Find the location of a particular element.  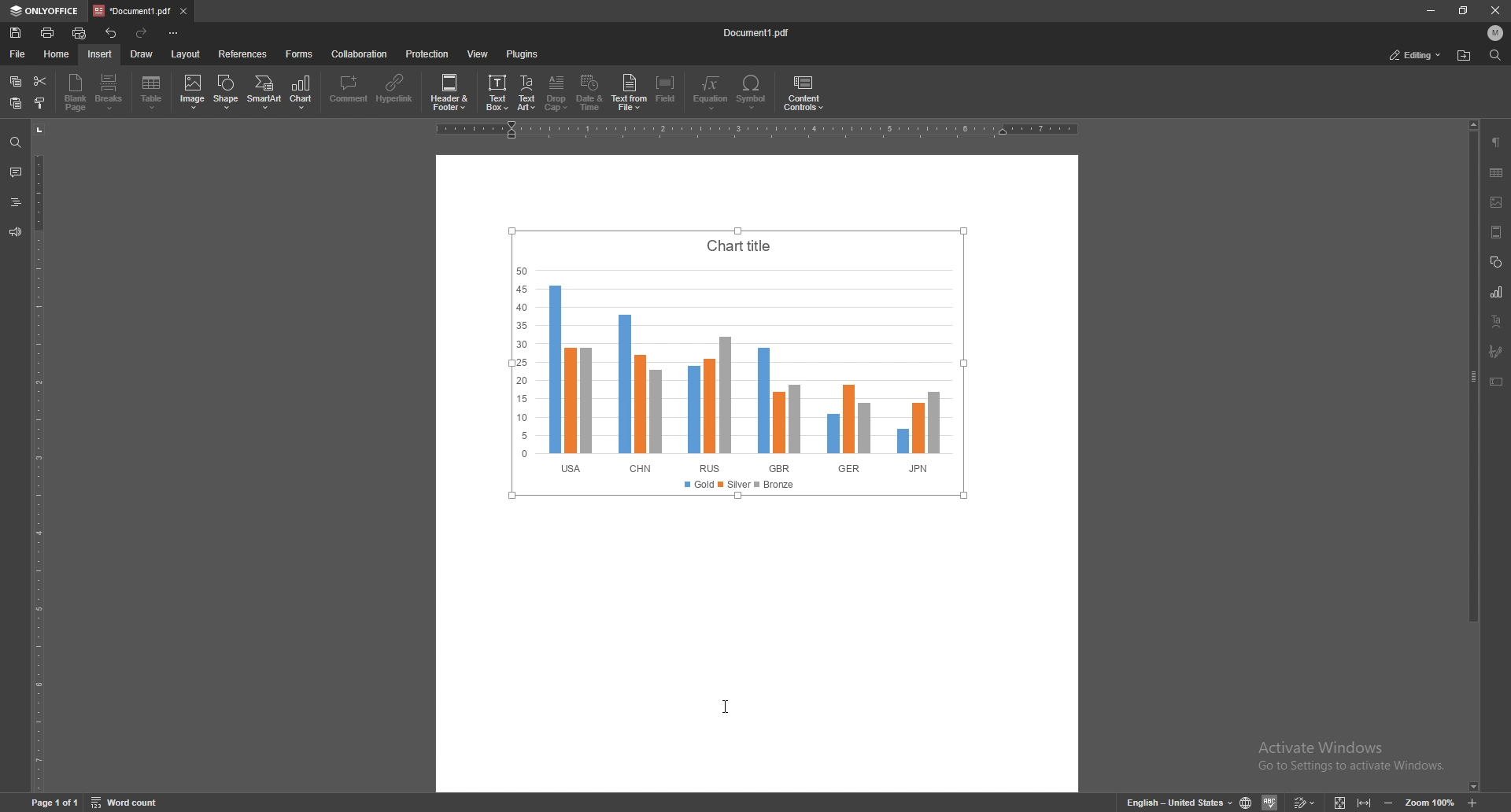

table is located at coordinates (1498, 173).